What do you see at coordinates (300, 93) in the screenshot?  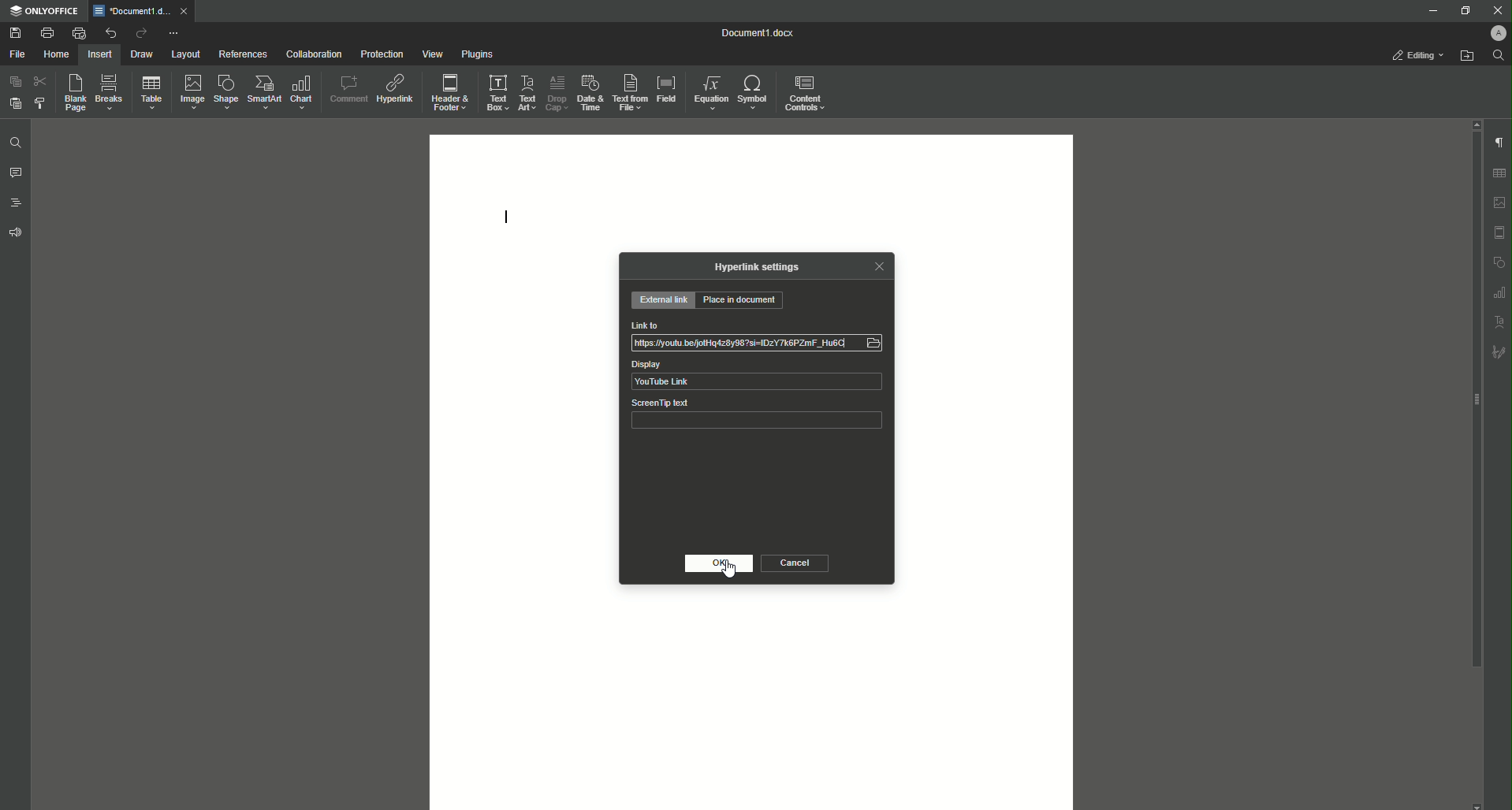 I see `Chart` at bounding box center [300, 93].